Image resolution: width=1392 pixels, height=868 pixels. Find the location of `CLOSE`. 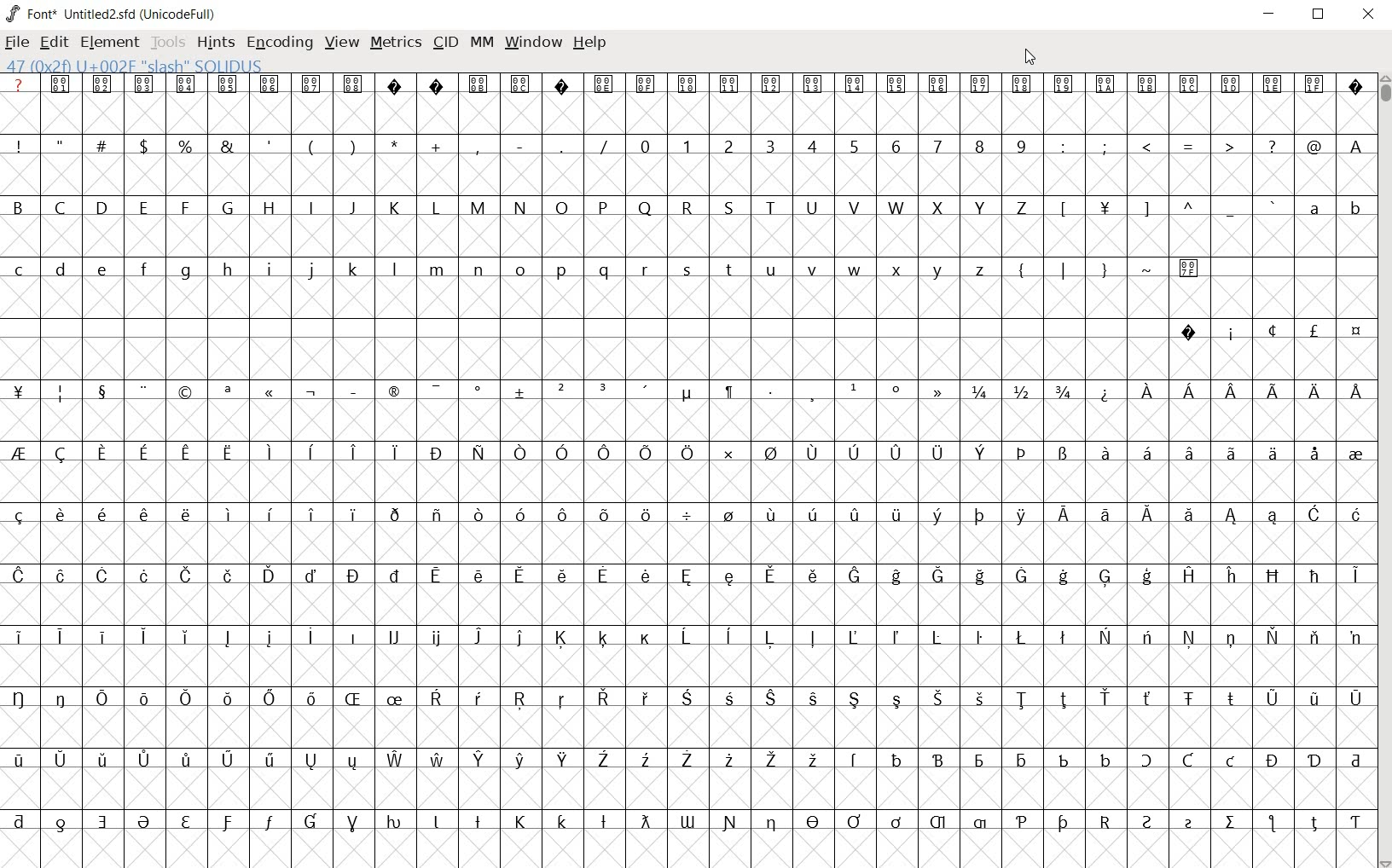

CLOSE is located at coordinates (1367, 14).